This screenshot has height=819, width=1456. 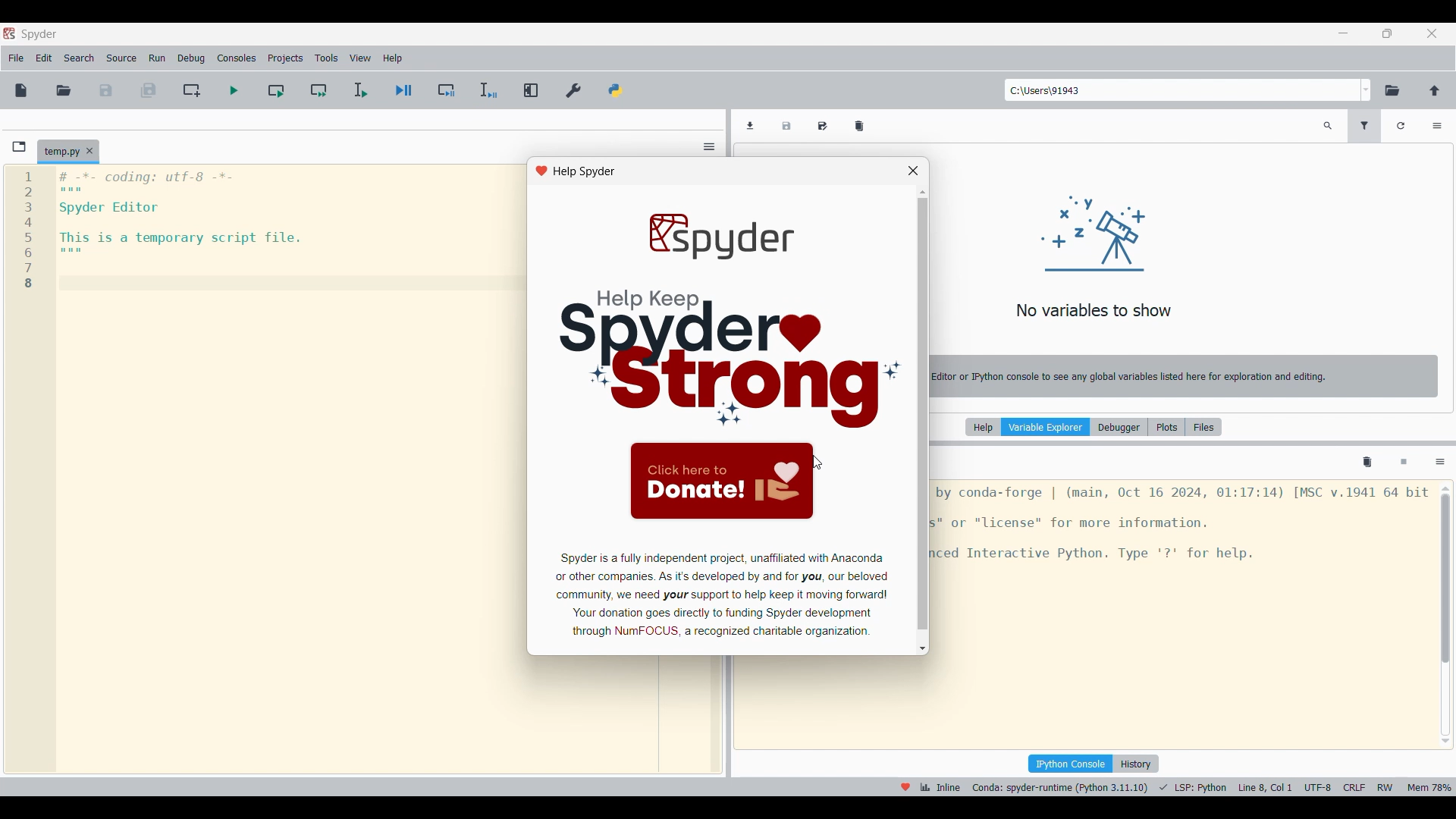 What do you see at coordinates (1120, 427) in the screenshot?
I see `Debugger` at bounding box center [1120, 427].